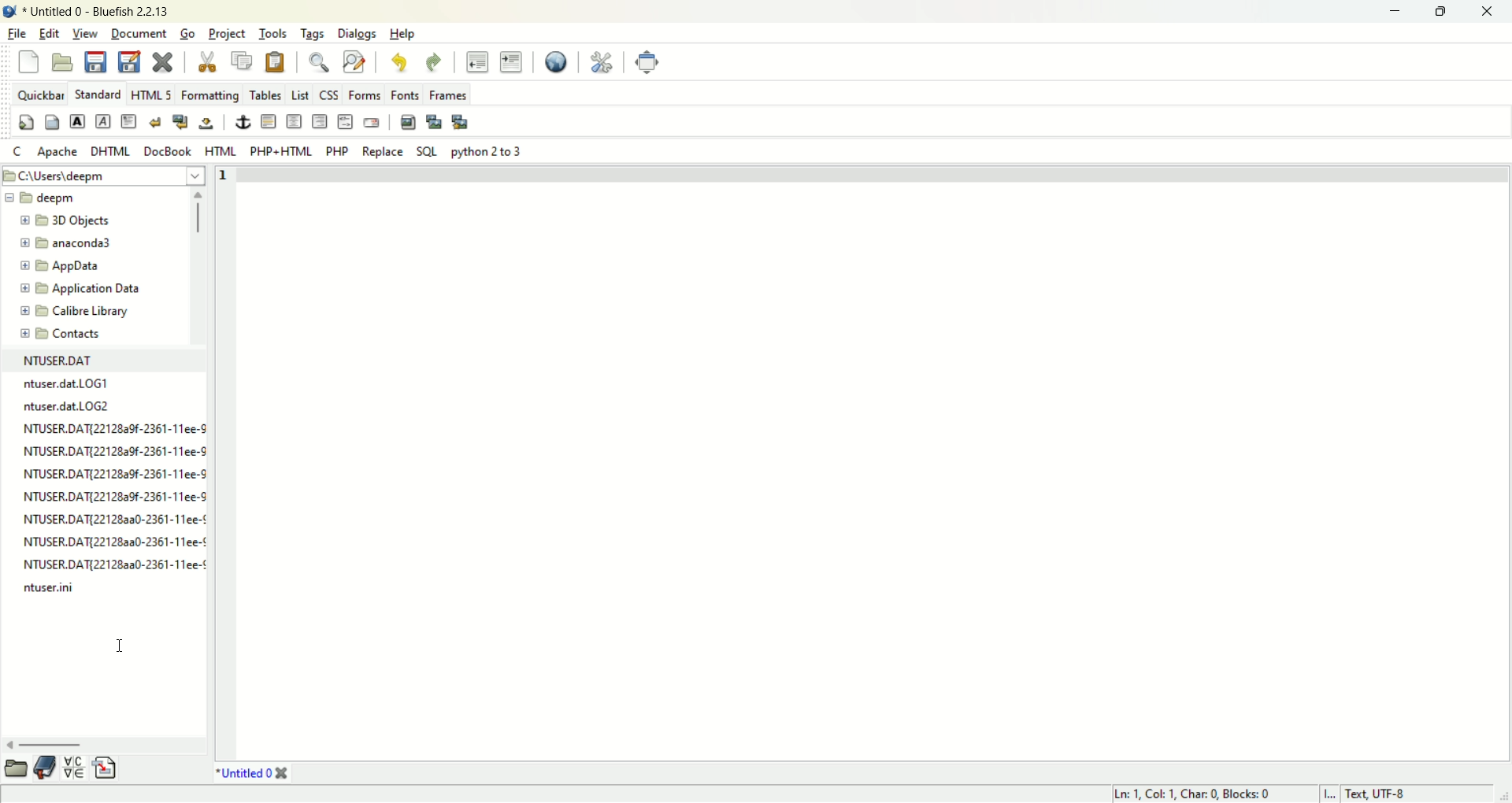 The height and width of the screenshot is (803, 1512). I want to click on Formatting, so click(212, 95).